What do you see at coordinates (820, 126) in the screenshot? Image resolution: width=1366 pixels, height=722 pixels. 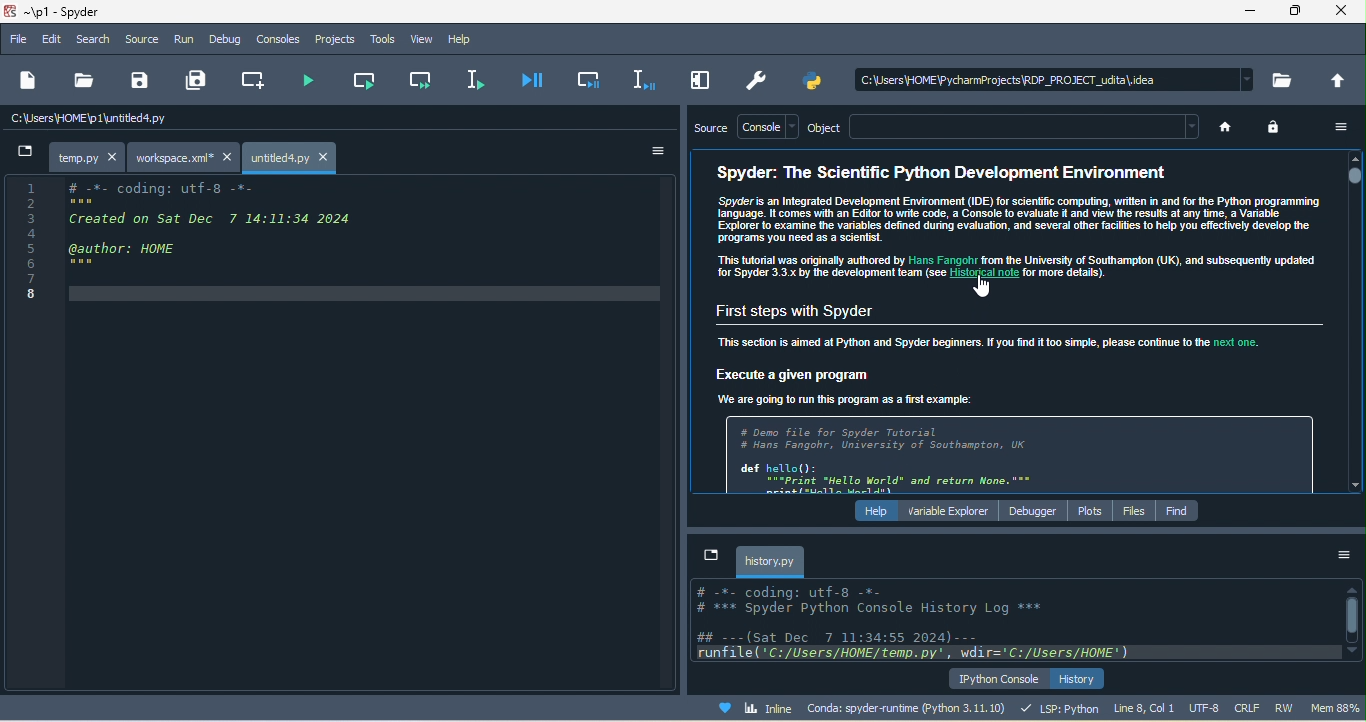 I see `object` at bounding box center [820, 126].